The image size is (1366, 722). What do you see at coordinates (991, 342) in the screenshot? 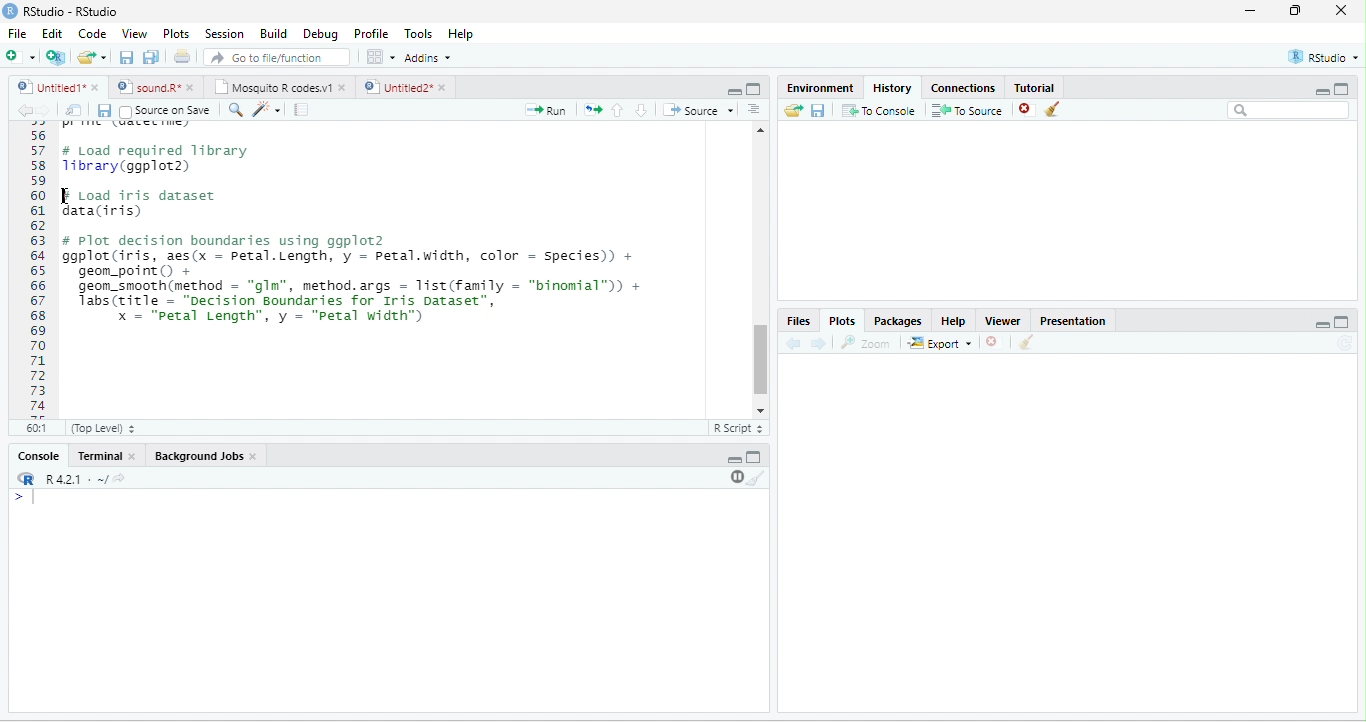
I see `close` at bounding box center [991, 342].